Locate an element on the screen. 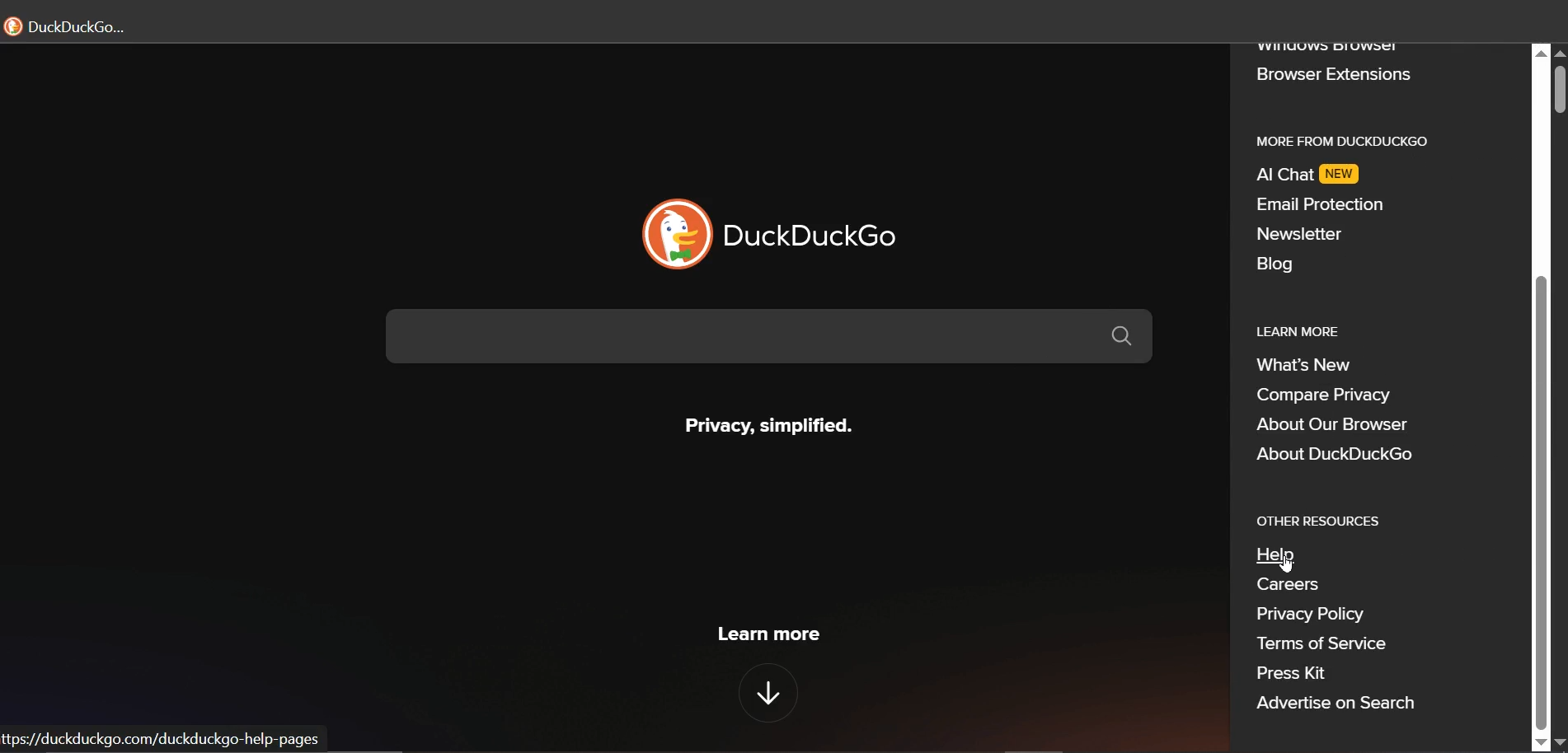 This screenshot has width=1568, height=753. Browser Extensions is located at coordinates (1334, 75).